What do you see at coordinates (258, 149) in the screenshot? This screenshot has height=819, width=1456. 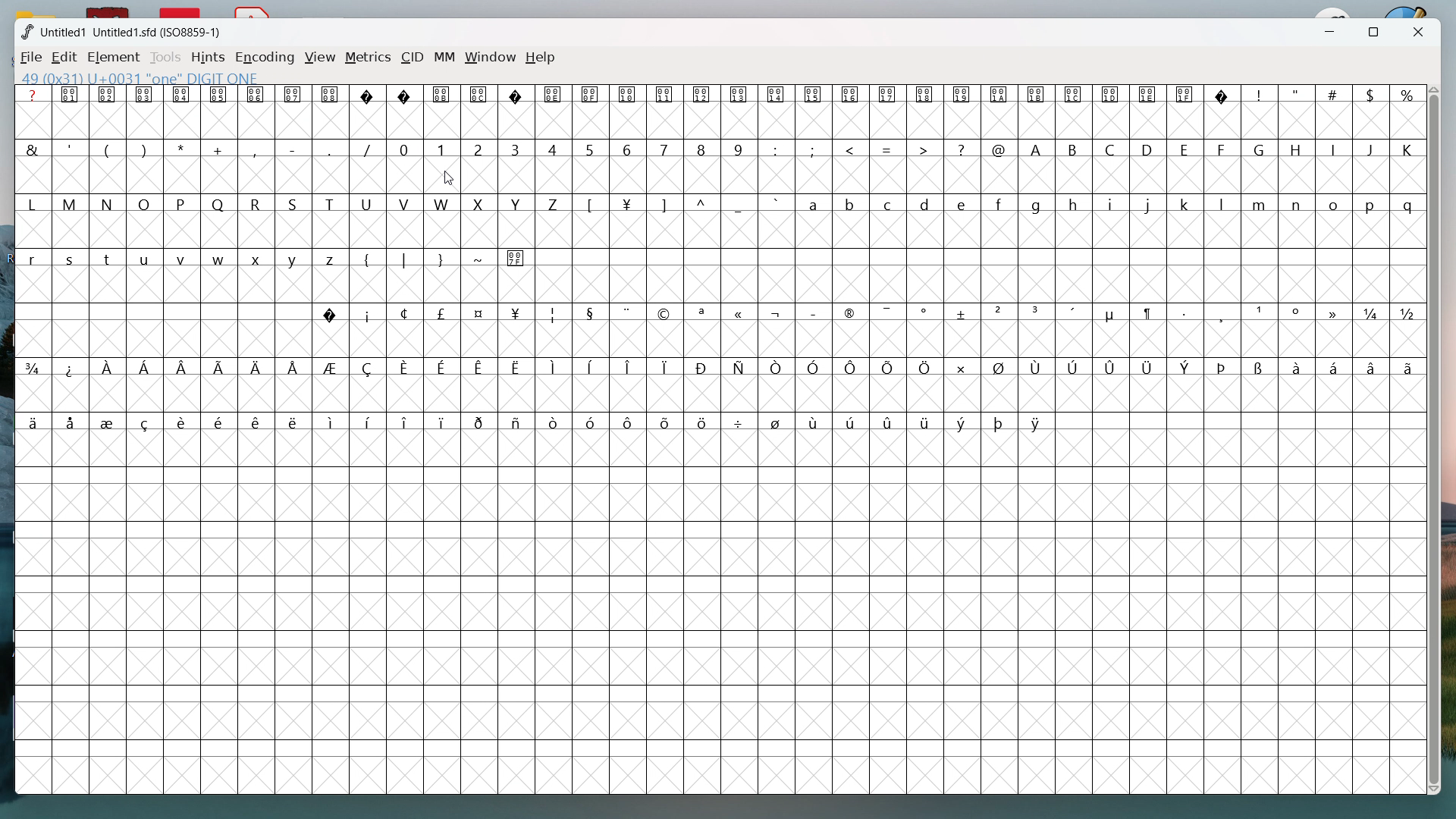 I see `,` at bounding box center [258, 149].